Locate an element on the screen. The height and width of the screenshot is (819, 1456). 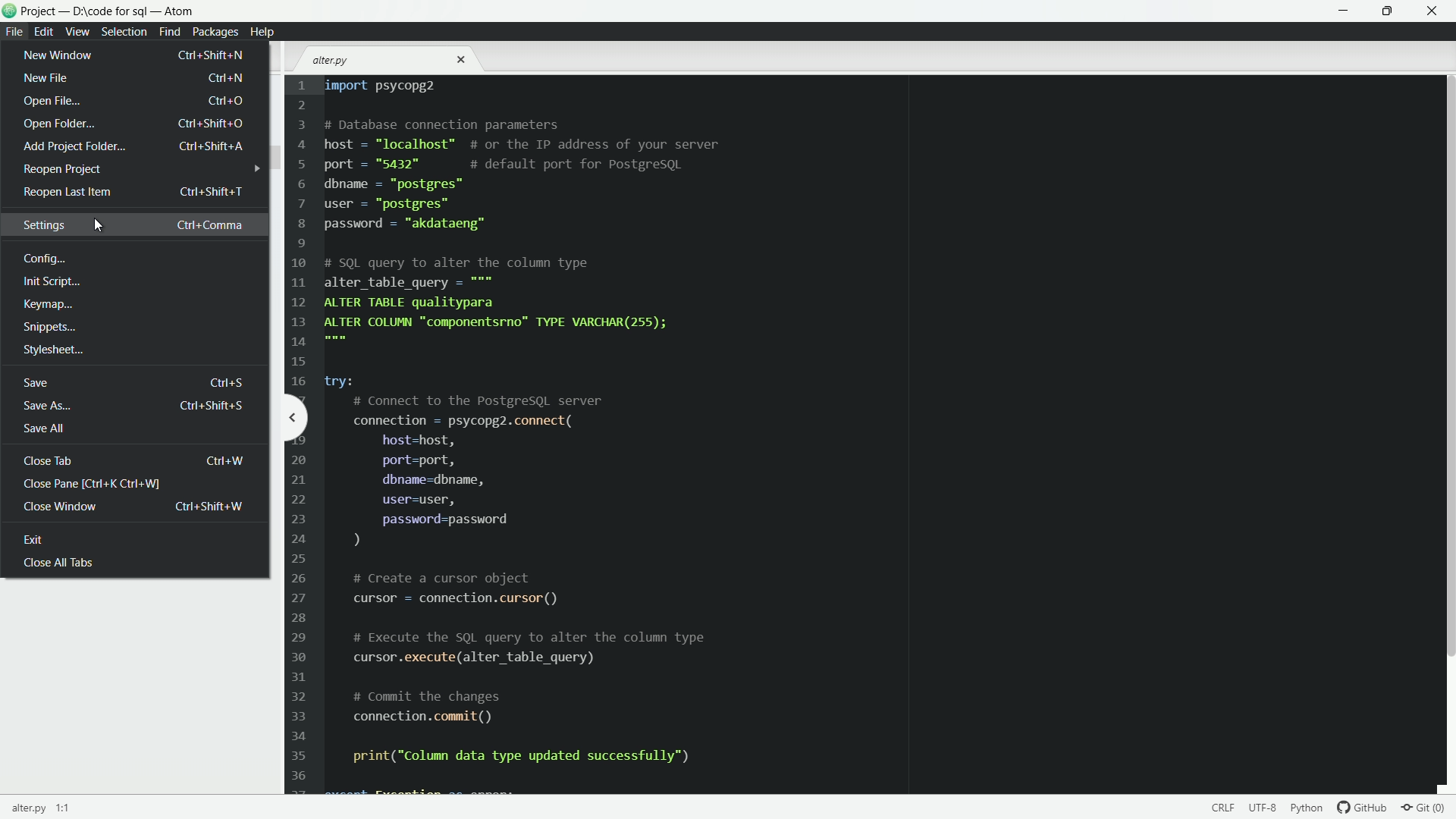
import psycopg2 # Database connection parametershost = "localhost™ # or the IP address of your serverport = "5432" # default port for PostgresqQLdbname = “postgres”user = “postgres”password = "akdataeng”# SQL query to alter the column typealter_table_query = """ALTER TABLE qualityparaALTER COLUMN "componentsrno™ TYPE VARCHAR(255);try:# Connect to the PostgresqL serverconnection = psycopg2.connect(host=host,port=port,dbname=dbname,user=user,password=password)# Create a cursor objectcursor = connection.cursor()# Execute the SQL query to alter the column typecursor .execute(alter_table_query)# Commit the changesconnection. commit ()print("Column data type updated successfully") is located at coordinates (517, 428).